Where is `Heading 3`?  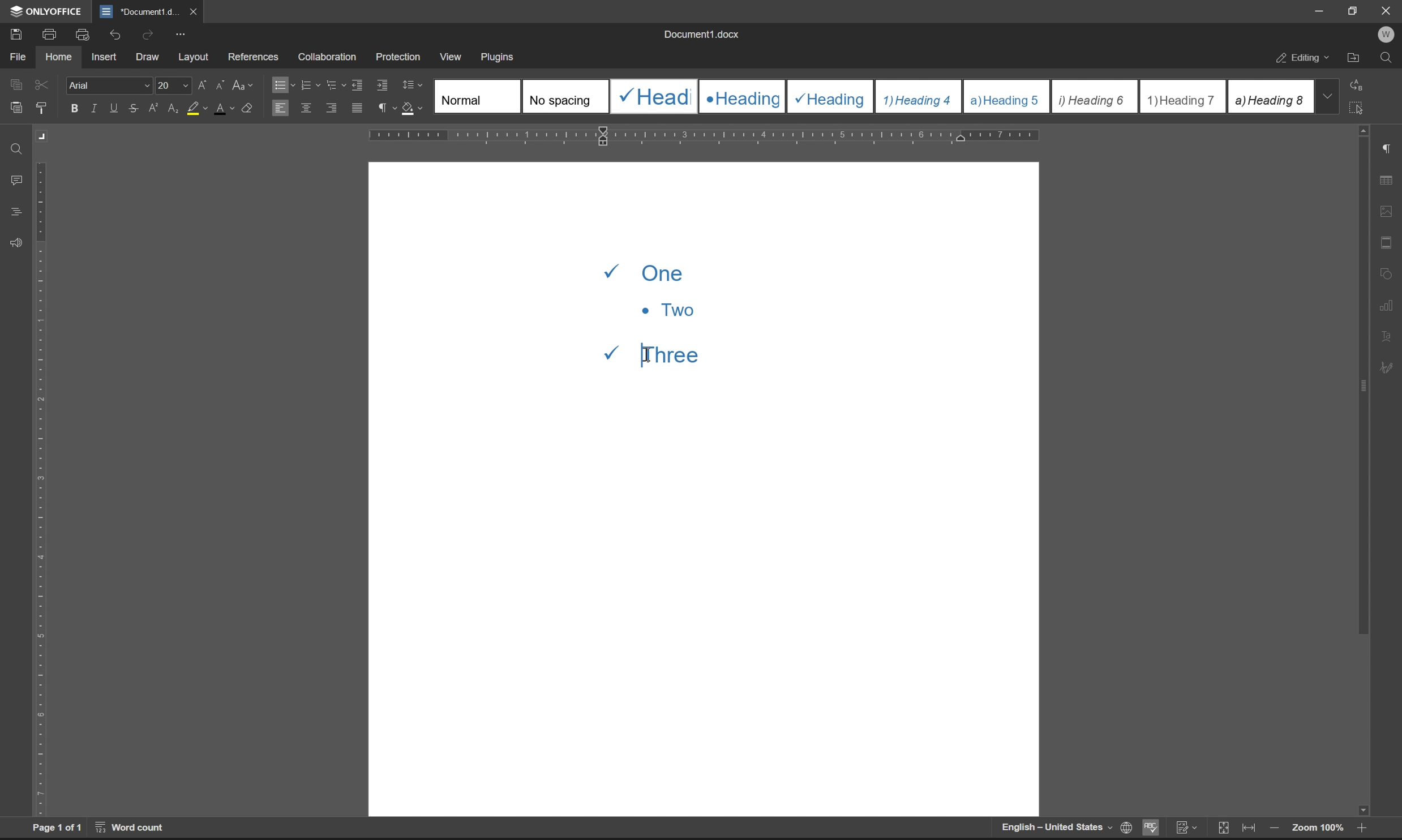
Heading 3 is located at coordinates (831, 97).